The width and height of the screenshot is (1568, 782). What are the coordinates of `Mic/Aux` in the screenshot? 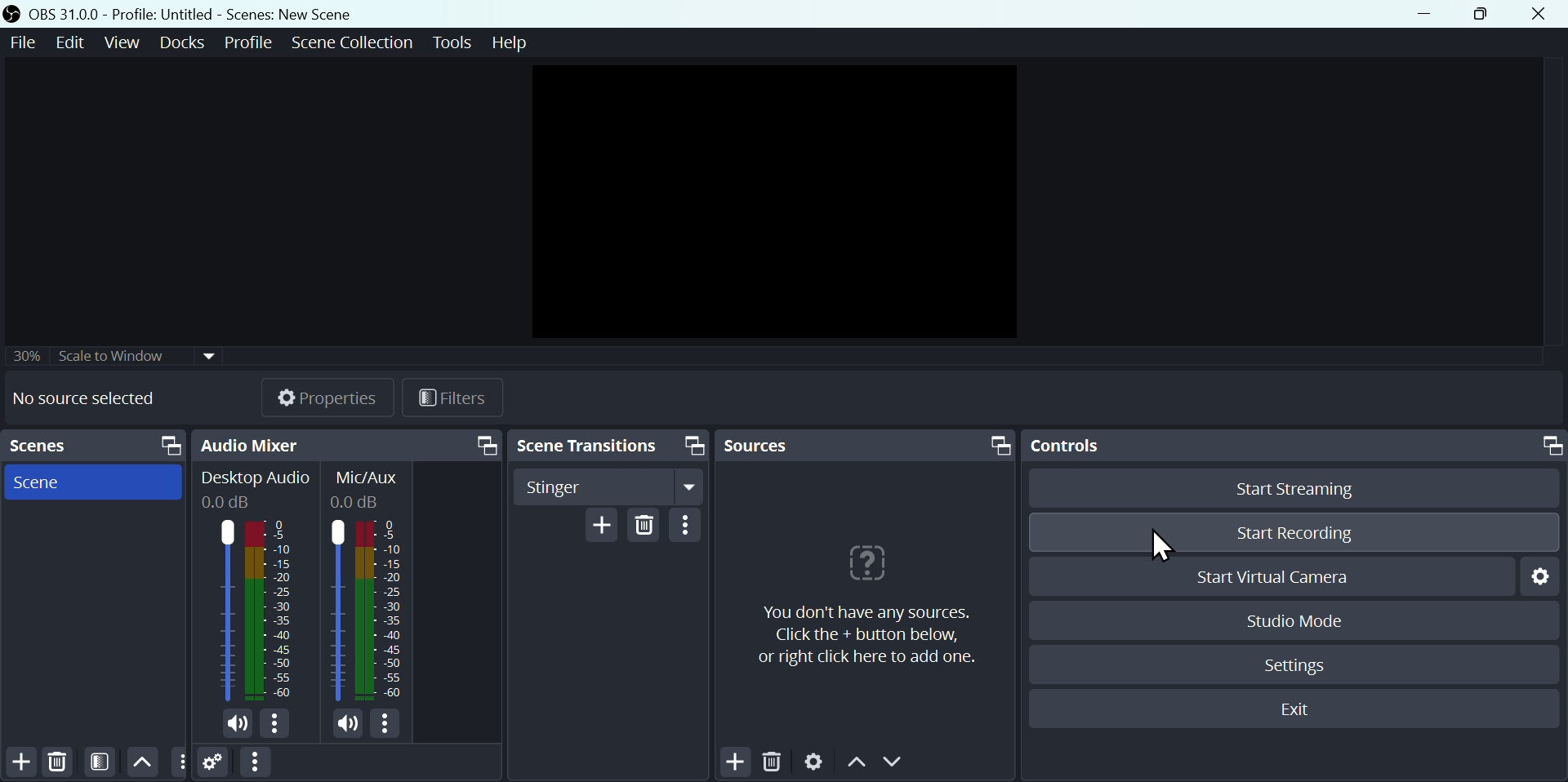 It's located at (372, 586).